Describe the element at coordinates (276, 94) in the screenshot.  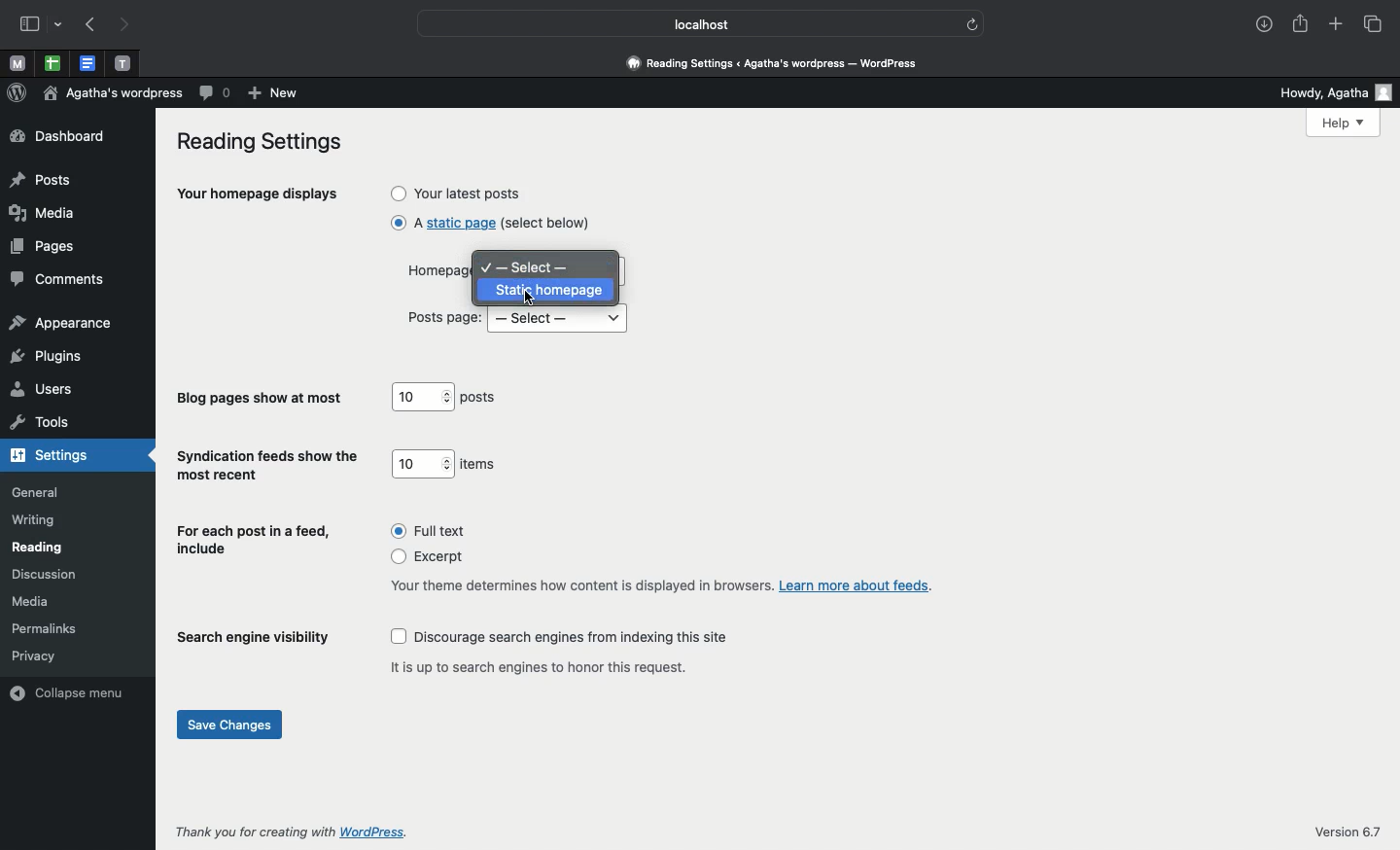
I see `New` at that location.